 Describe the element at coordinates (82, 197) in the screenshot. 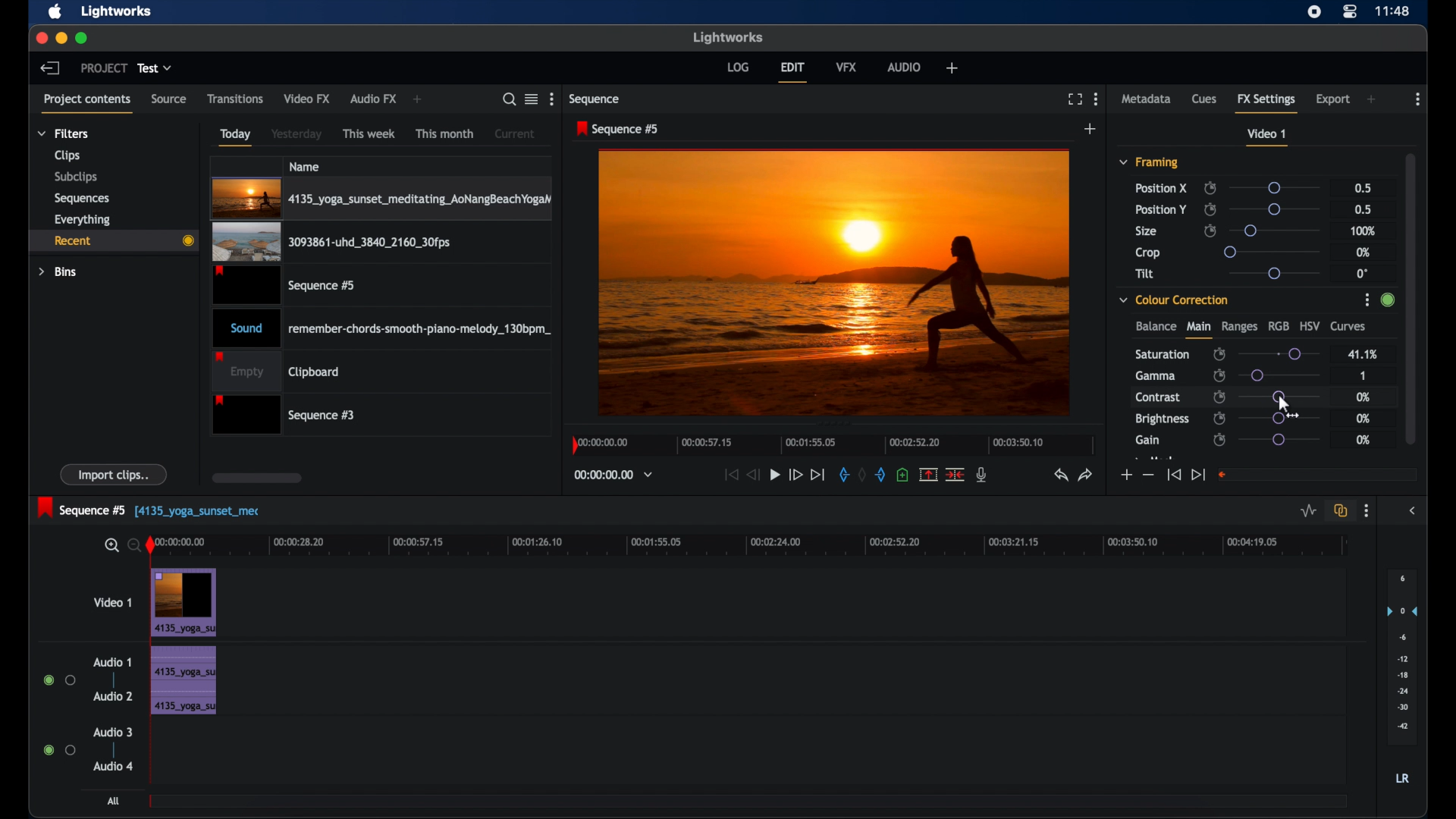

I see `sequences` at that location.